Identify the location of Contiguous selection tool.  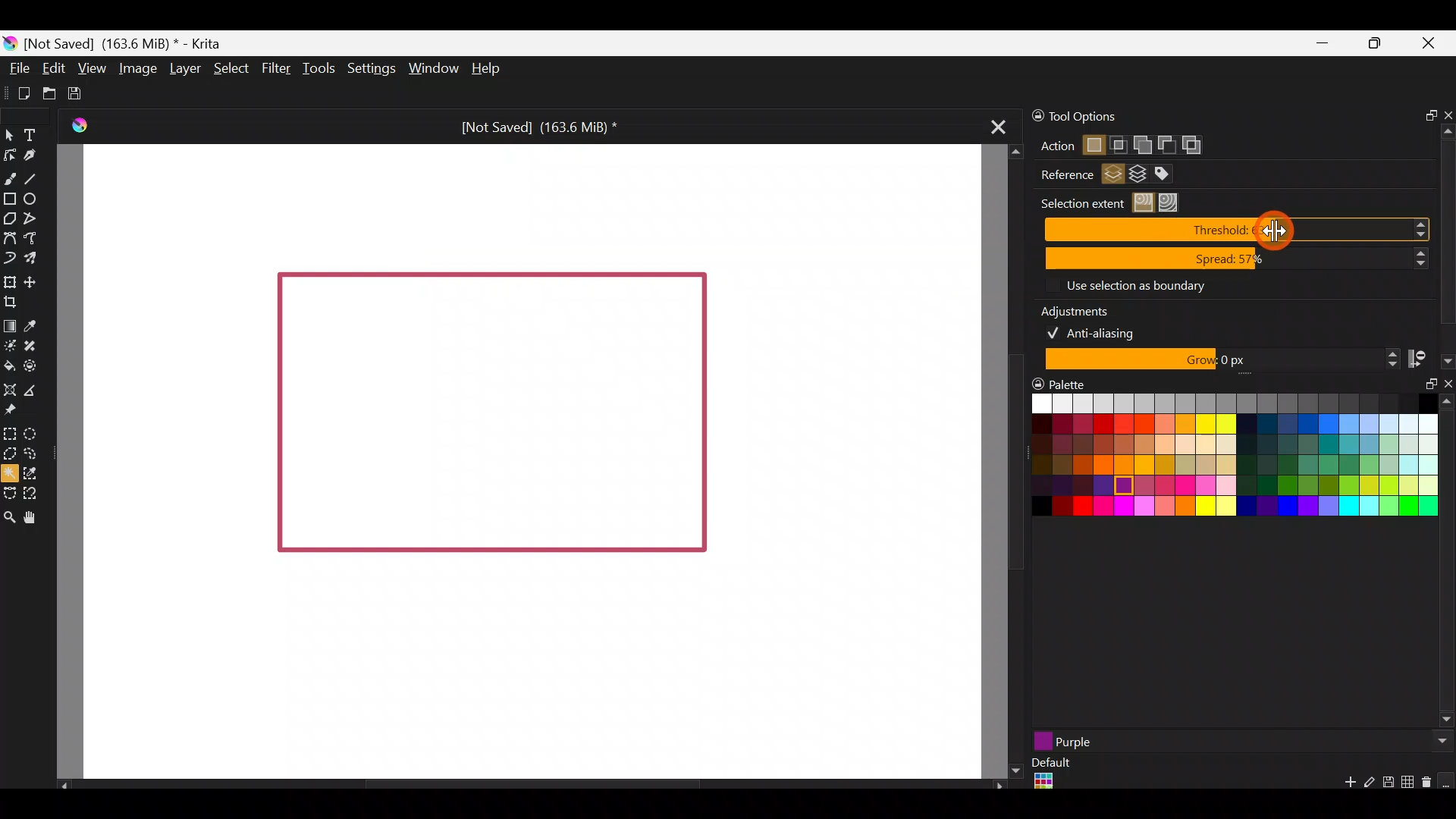
(11, 473).